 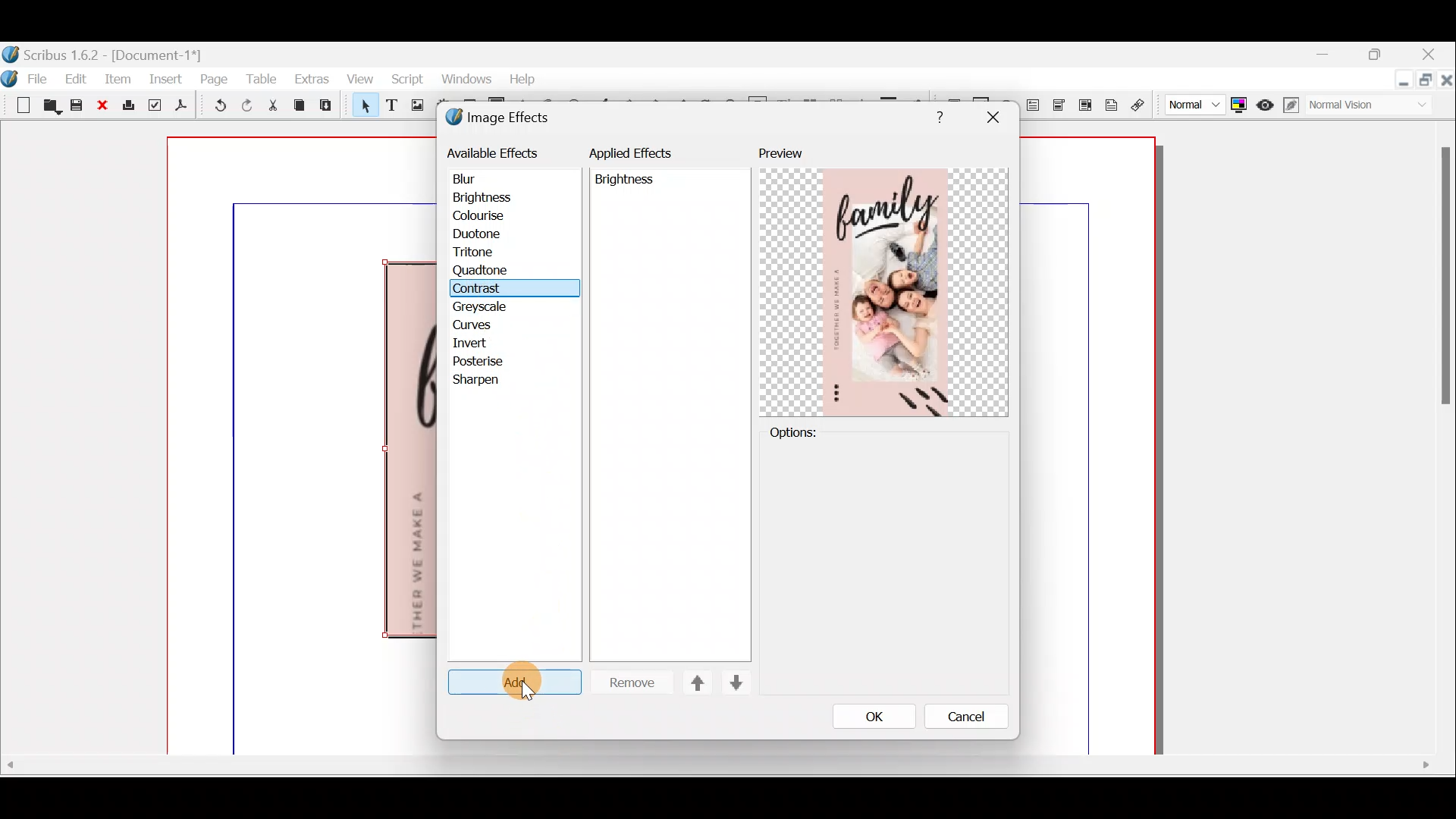 What do you see at coordinates (525, 77) in the screenshot?
I see `Help` at bounding box center [525, 77].